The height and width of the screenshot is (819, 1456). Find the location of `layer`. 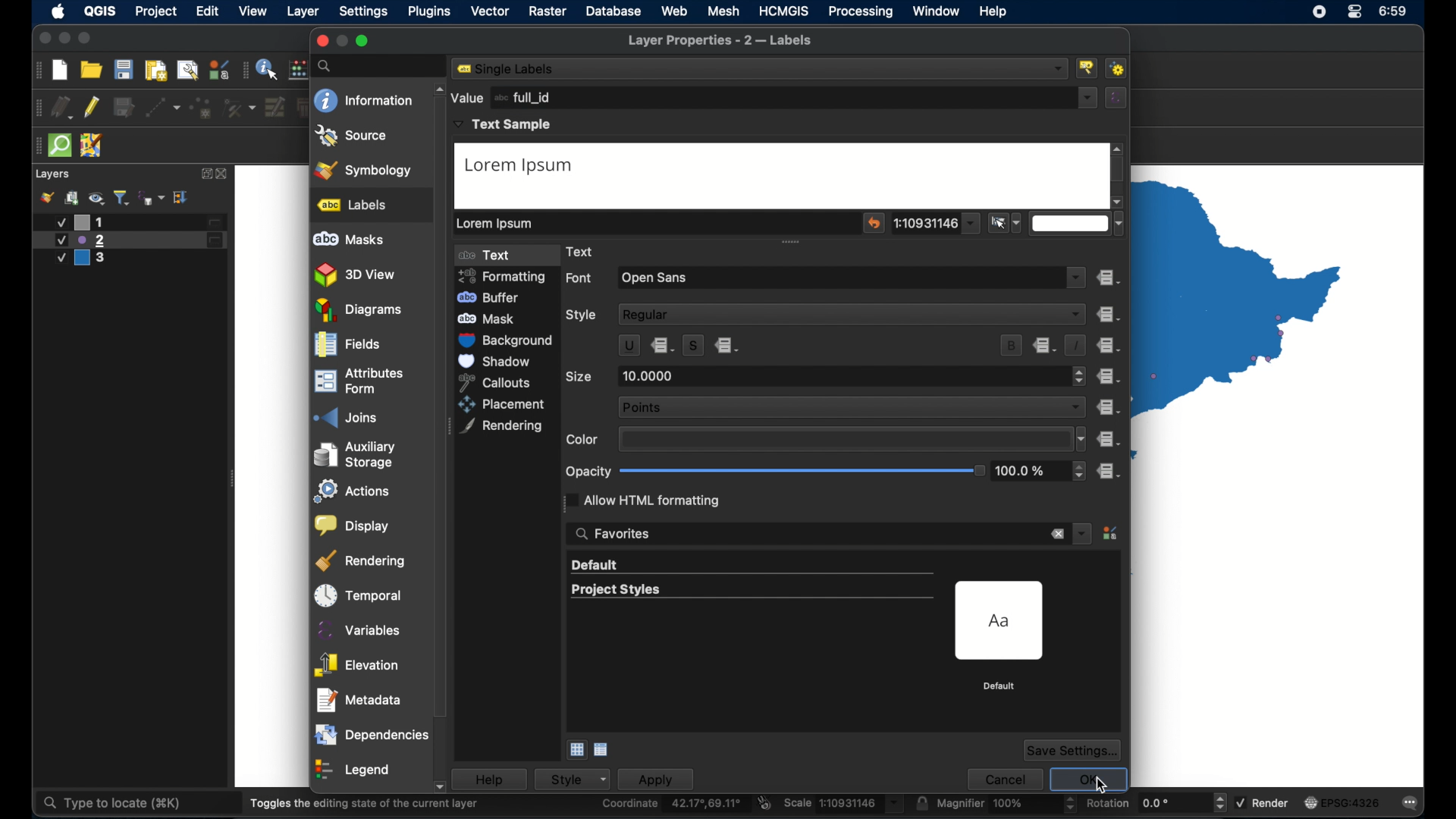

layer is located at coordinates (304, 12).